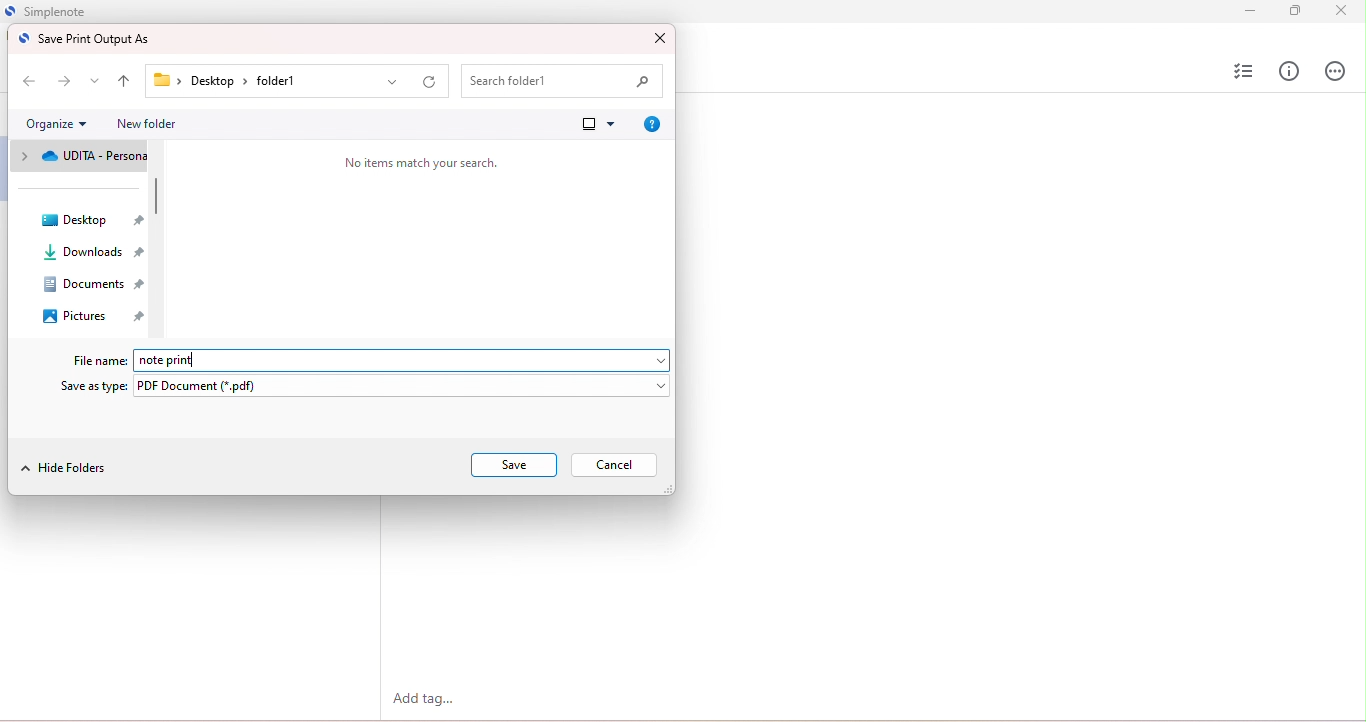 Image resolution: width=1366 pixels, height=722 pixels. Describe the element at coordinates (87, 223) in the screenshot. I see `desktop` at that location.